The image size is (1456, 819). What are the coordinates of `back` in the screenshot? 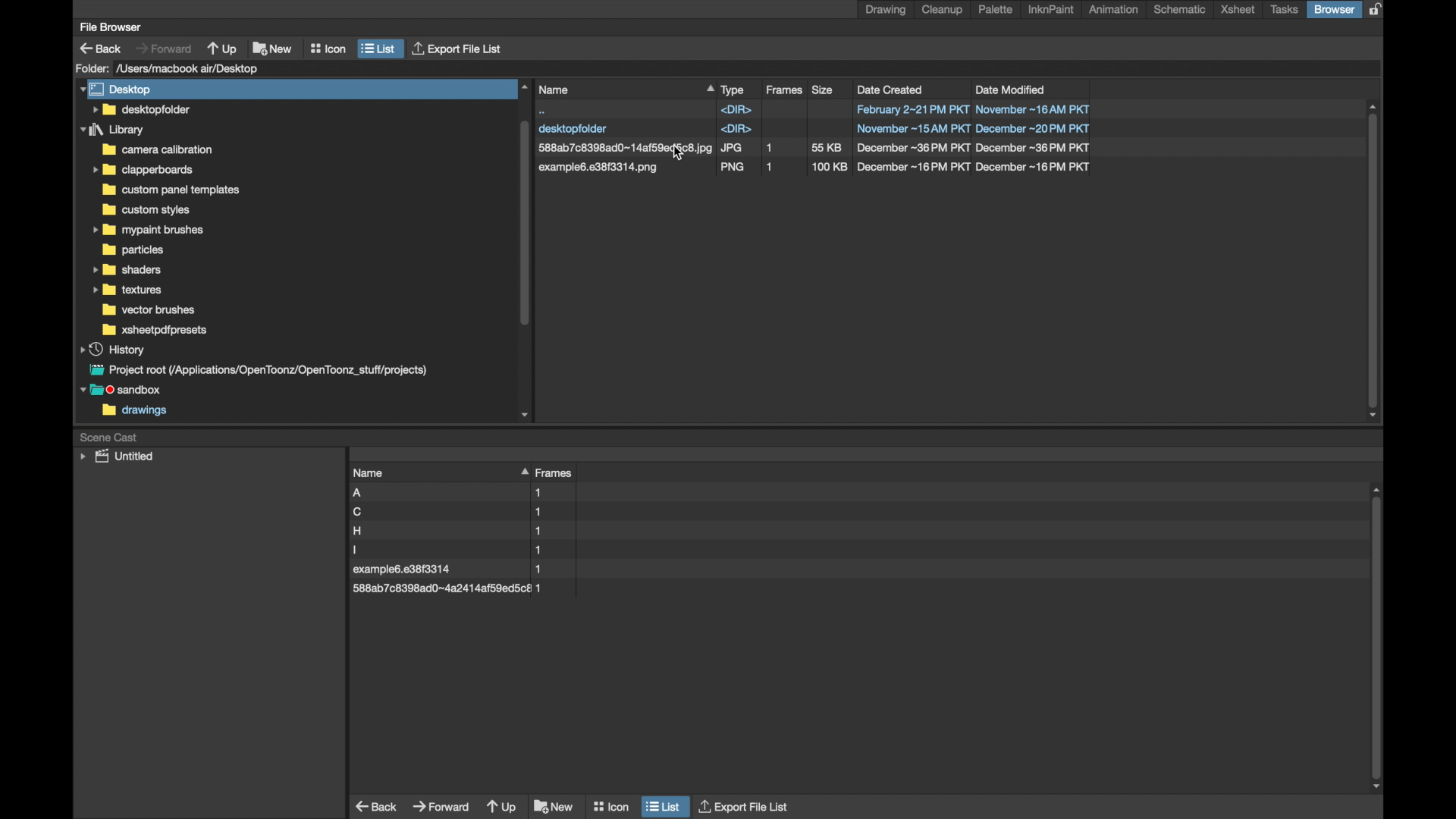 It's located at (378, 806).